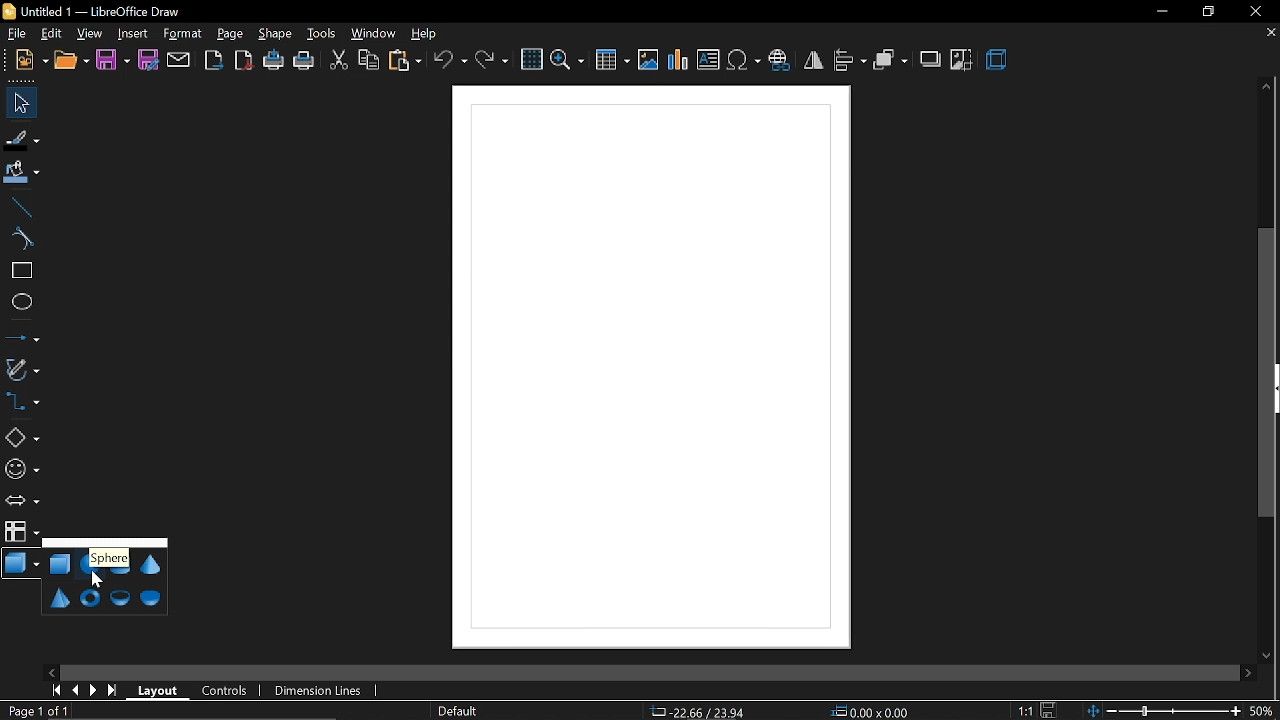 This screenshot has width=1280, height=720. What do you see at coordinates (491, 59) in the screenshot?
I see `redo` at bounding box center [491, 59].